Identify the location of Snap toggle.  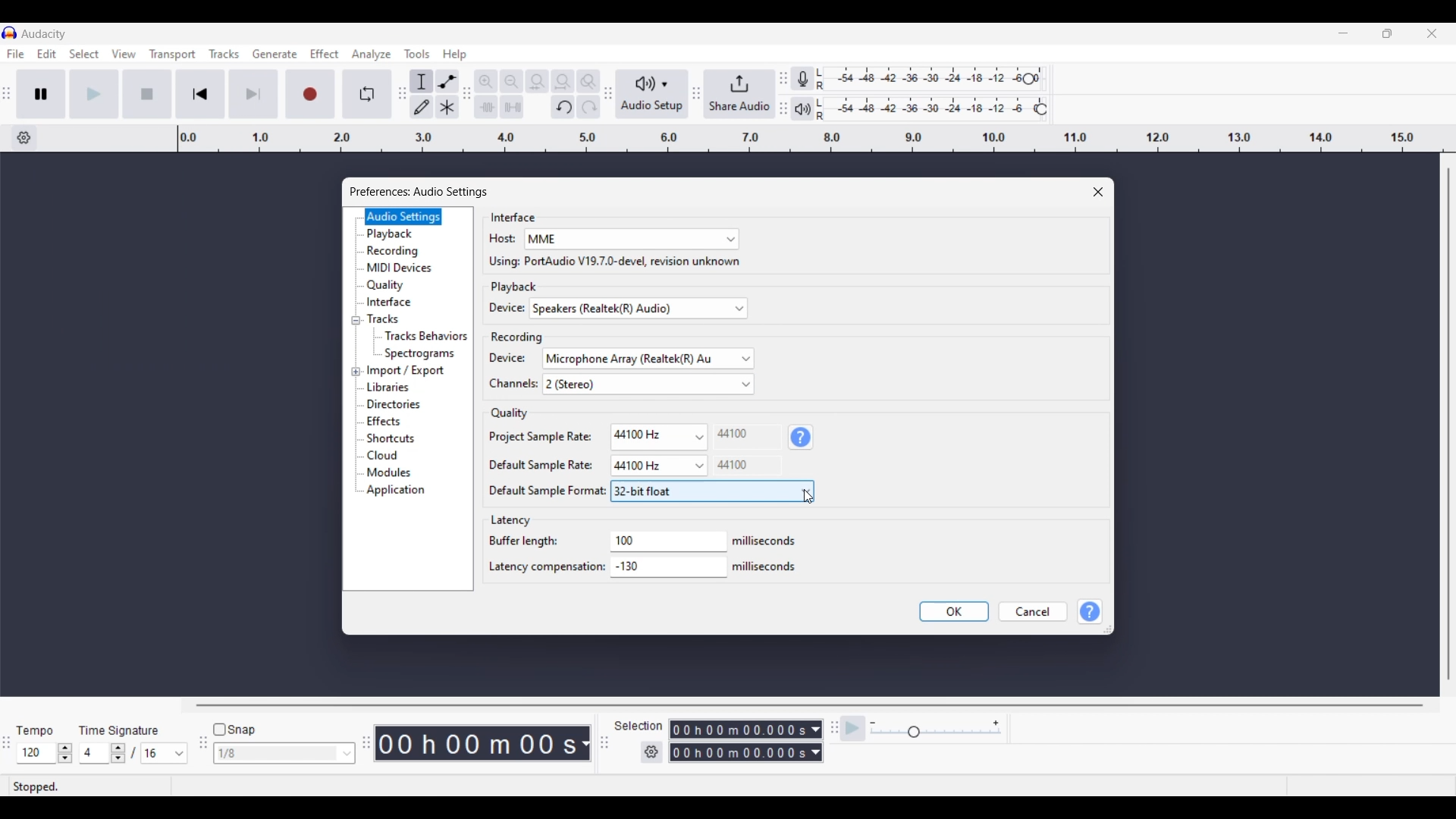
(235, 730).